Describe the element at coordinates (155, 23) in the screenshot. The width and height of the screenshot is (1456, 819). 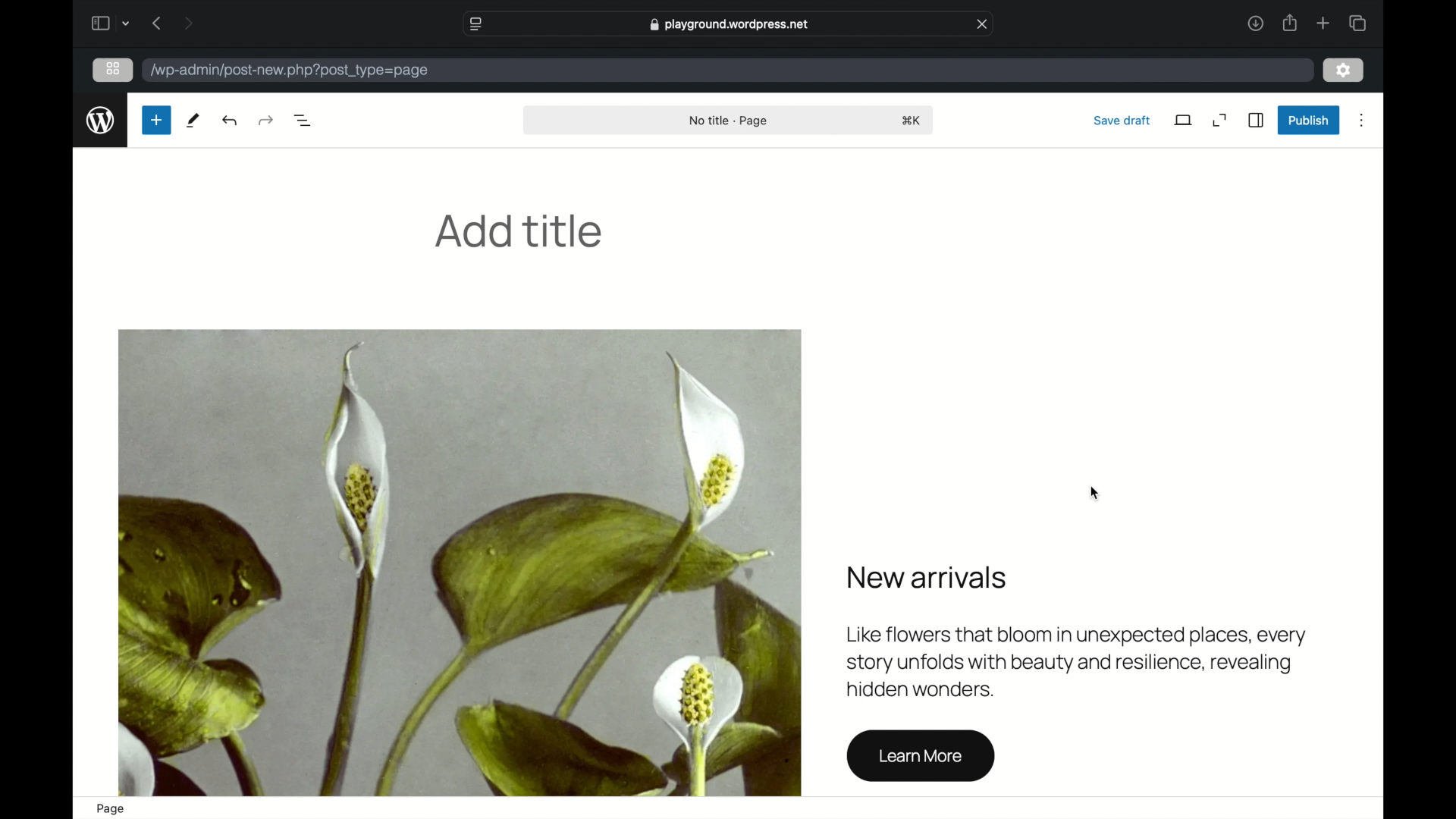
I see `previous` at that location.